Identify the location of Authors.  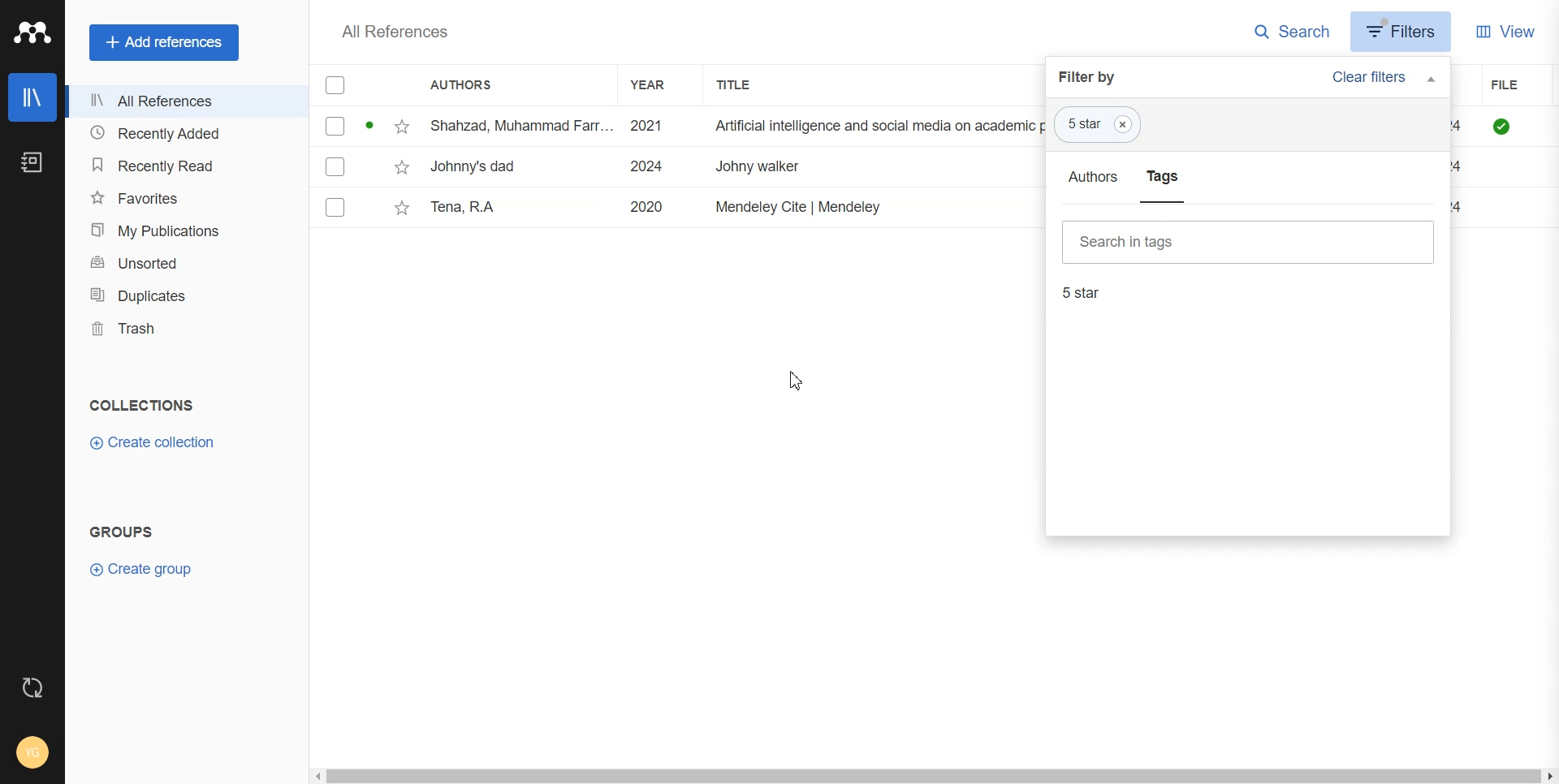
(470, 84).